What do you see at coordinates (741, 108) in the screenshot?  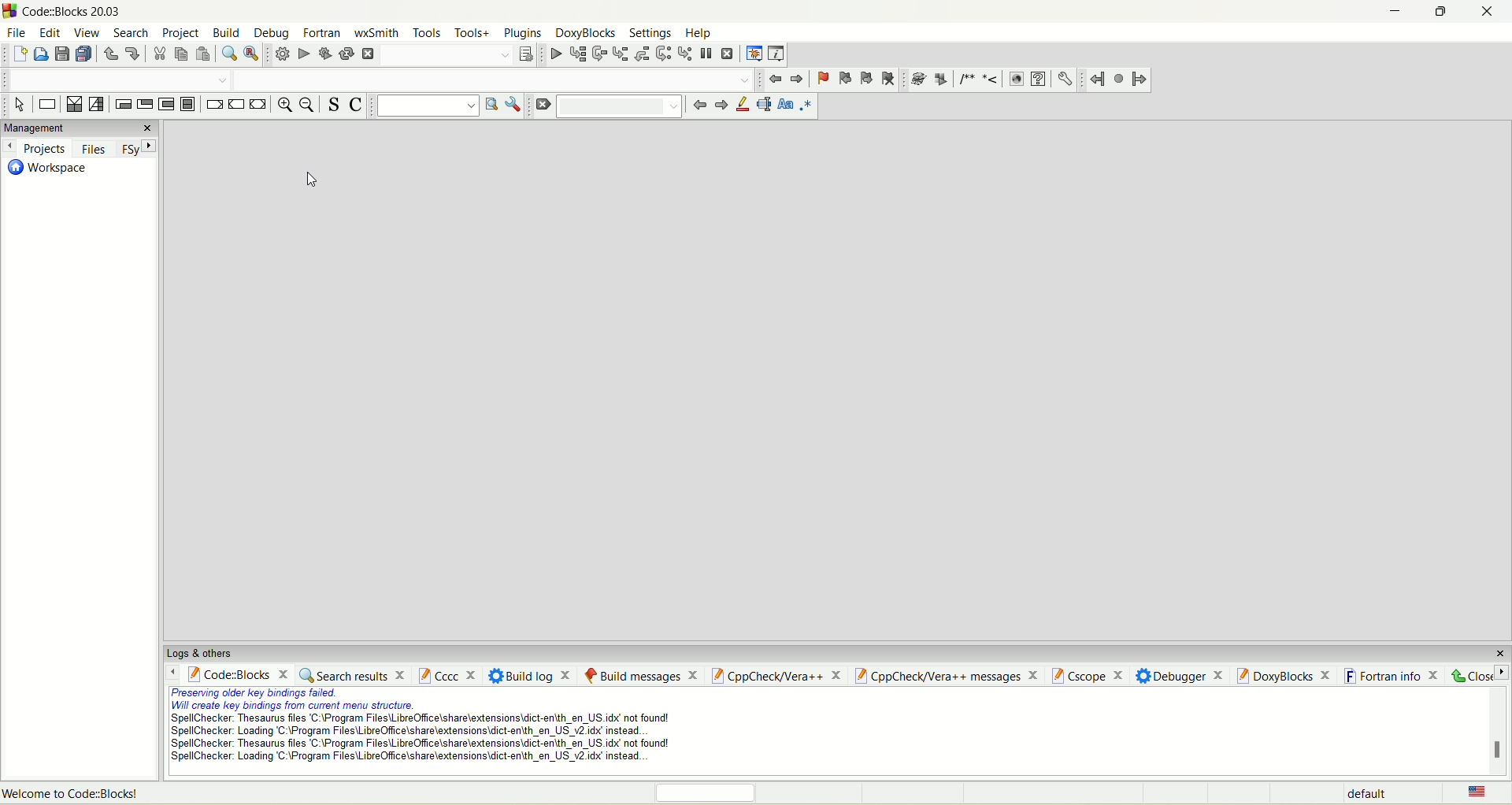 I see `highlight` at bounding box center [741, 108].